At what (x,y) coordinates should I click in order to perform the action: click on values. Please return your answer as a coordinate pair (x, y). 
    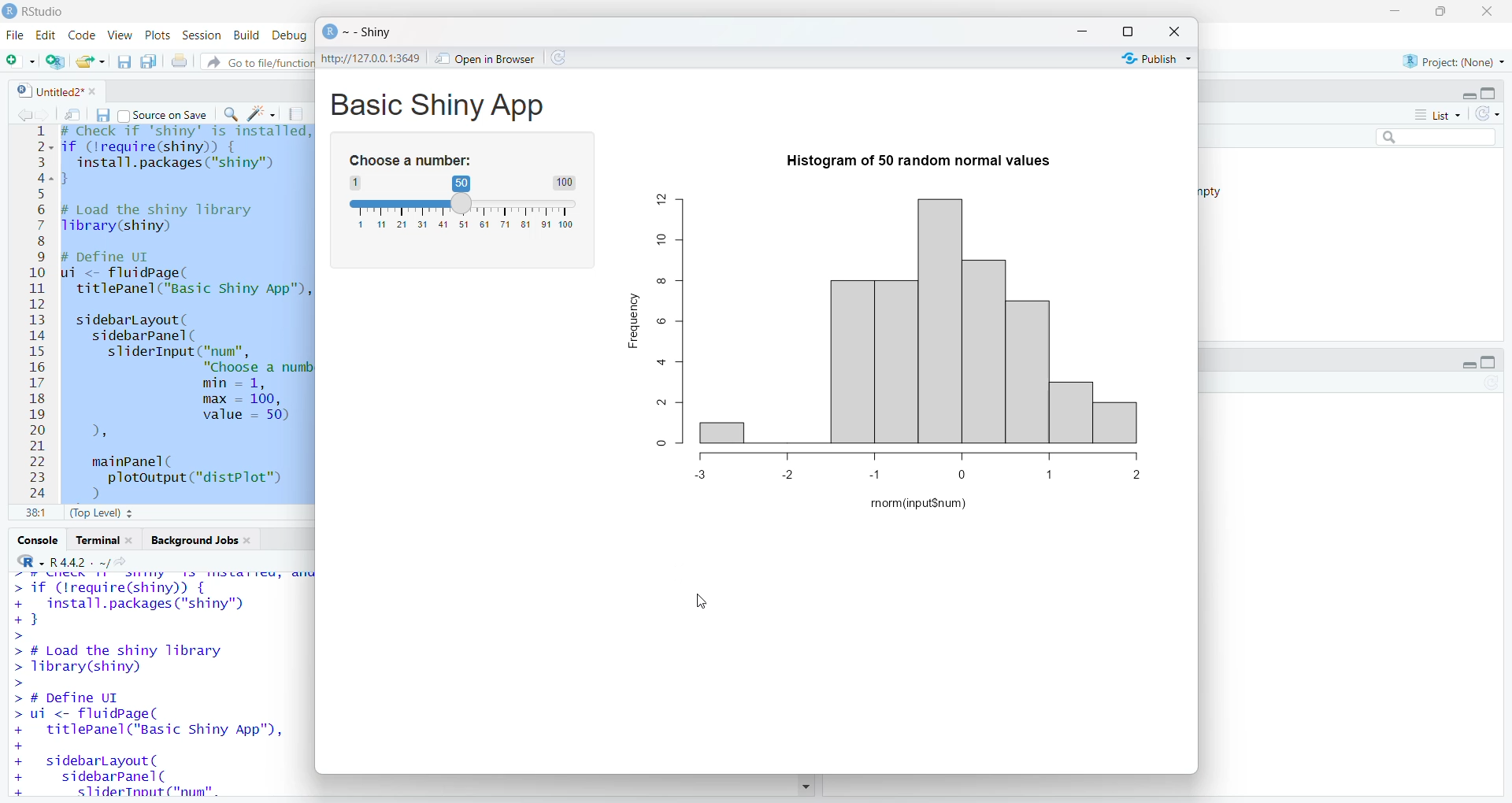
    Looking at the image, I should click on (670, 318).